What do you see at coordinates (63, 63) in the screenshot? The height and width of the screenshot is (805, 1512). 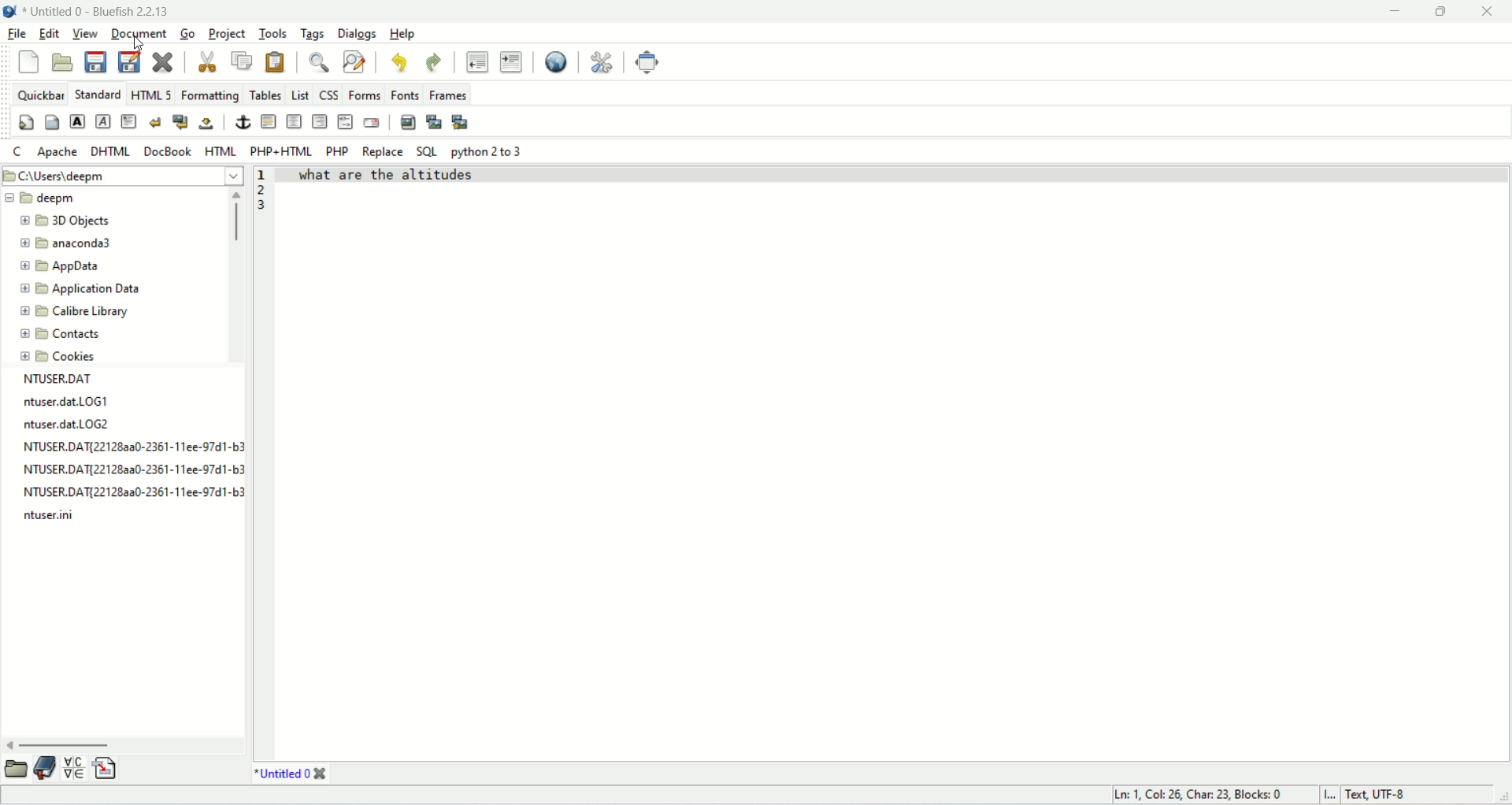 I see `open` at bounding box center [63, 63].